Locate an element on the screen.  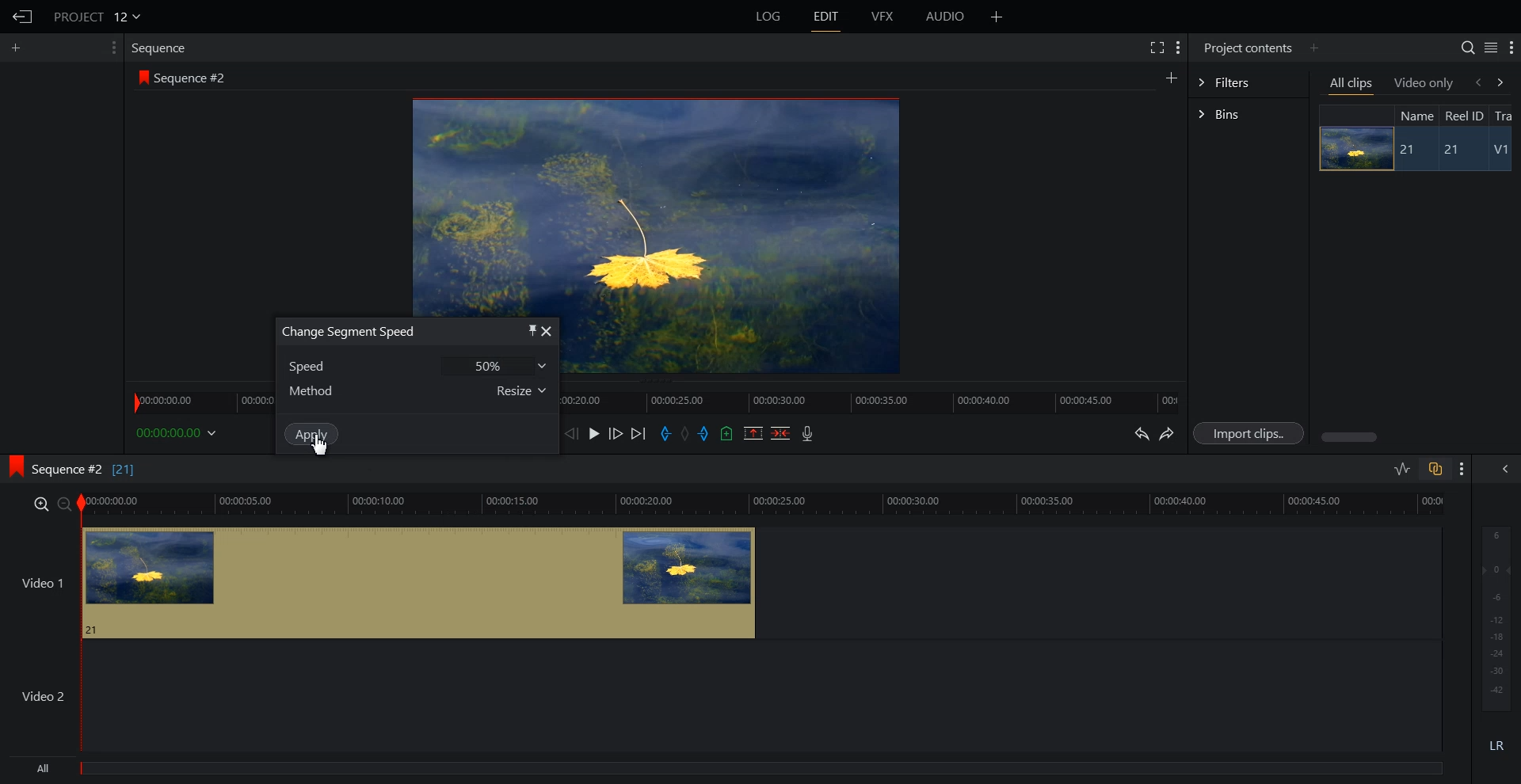
PROJECT 12 is located at coordinates (97, 16).